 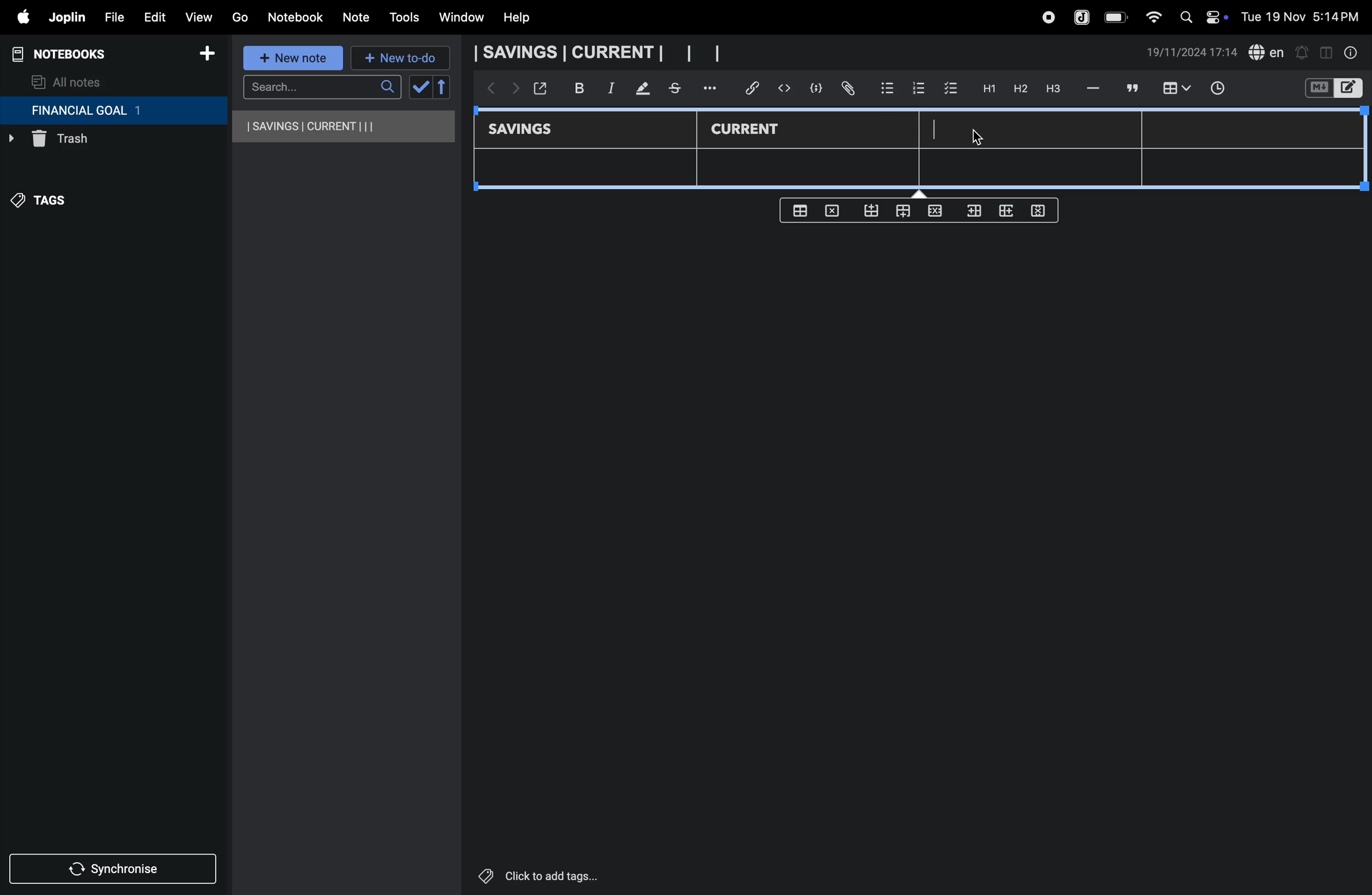 What do you see at coordinates (443, 87) in the screenshot?
I see `reverse sort order` at bounding box center [443, 87].